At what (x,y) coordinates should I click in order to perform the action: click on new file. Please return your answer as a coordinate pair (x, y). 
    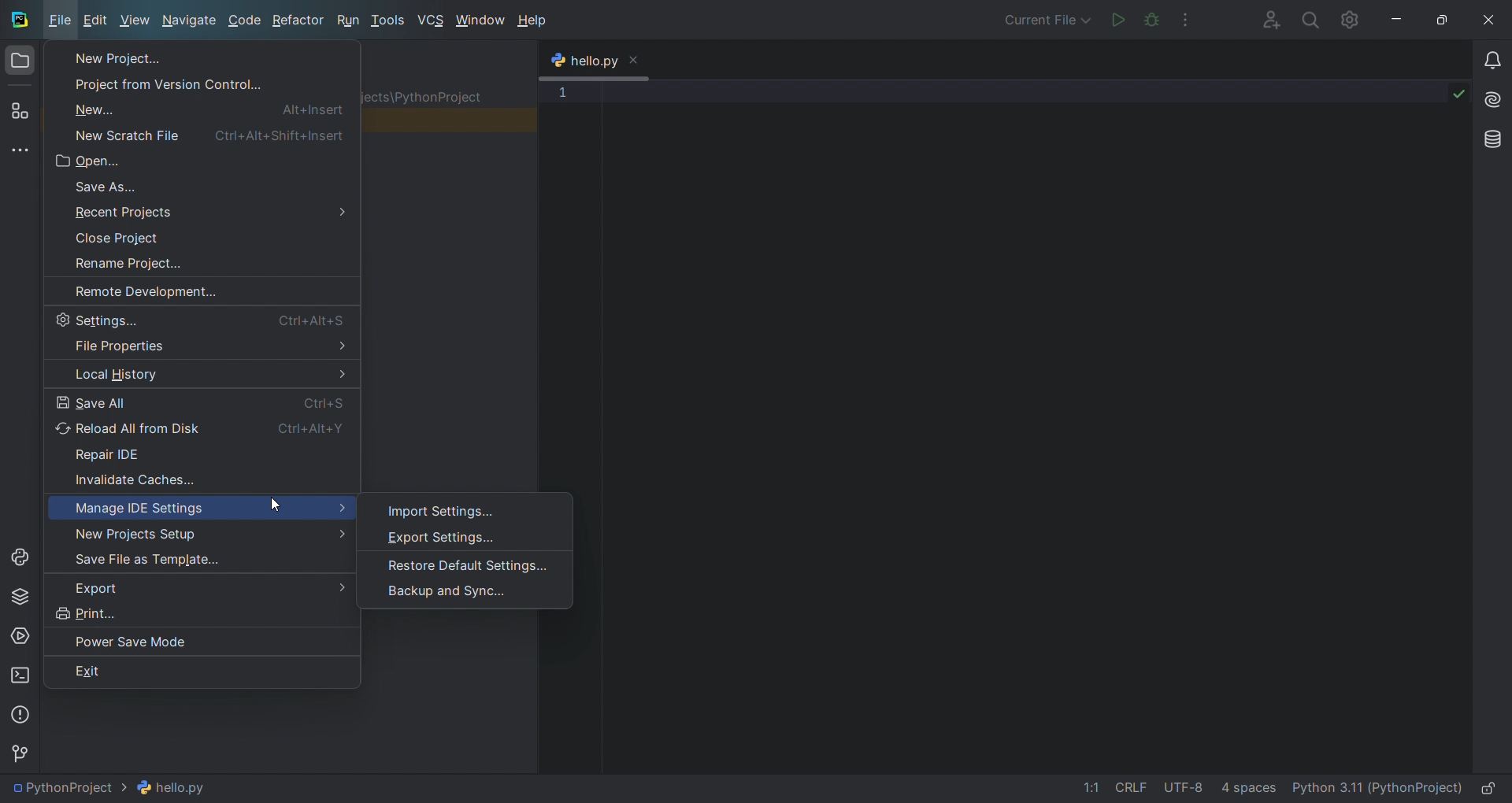
    Looking at the image, I should click on (199, 132).